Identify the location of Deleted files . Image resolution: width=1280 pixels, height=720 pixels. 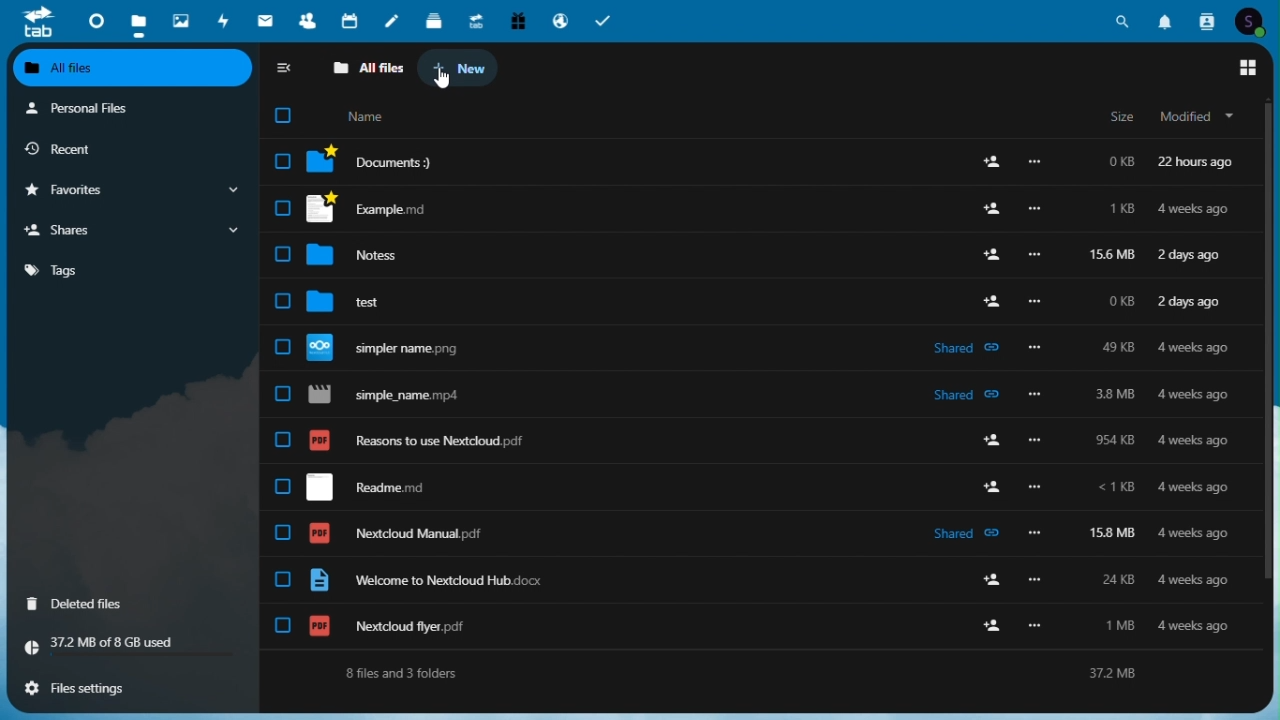
(105, 605).